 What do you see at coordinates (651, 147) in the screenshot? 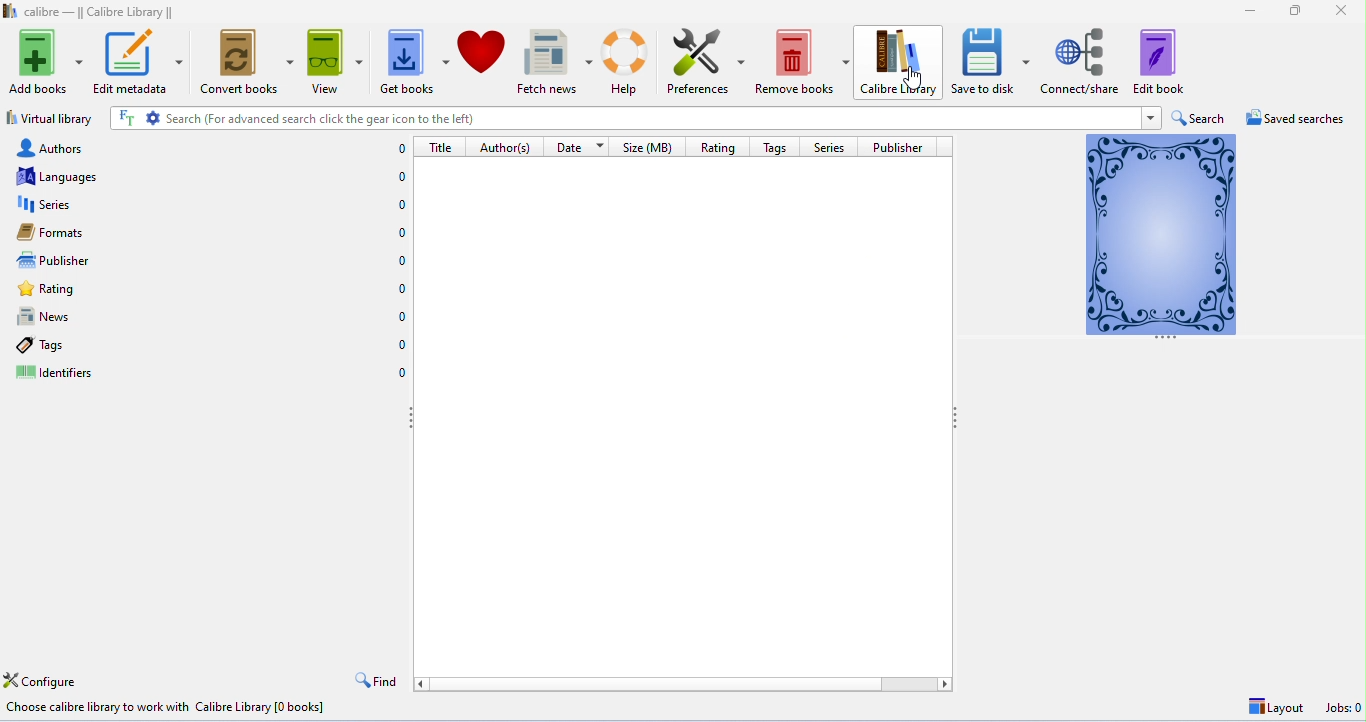
I see `size(MB)` at bounding box center [651, 147].